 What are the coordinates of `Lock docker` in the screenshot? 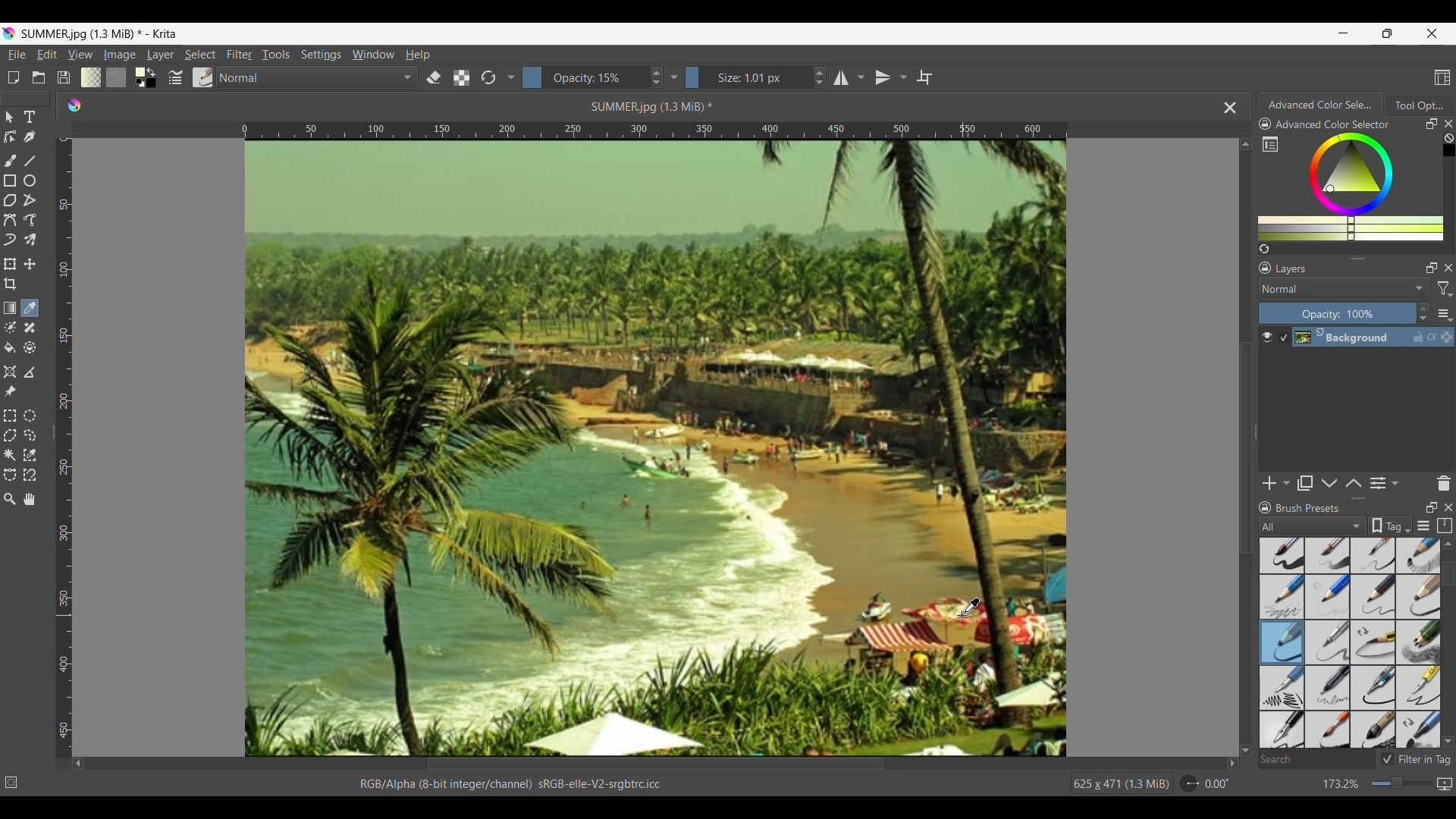 It's located at (1264, 124).